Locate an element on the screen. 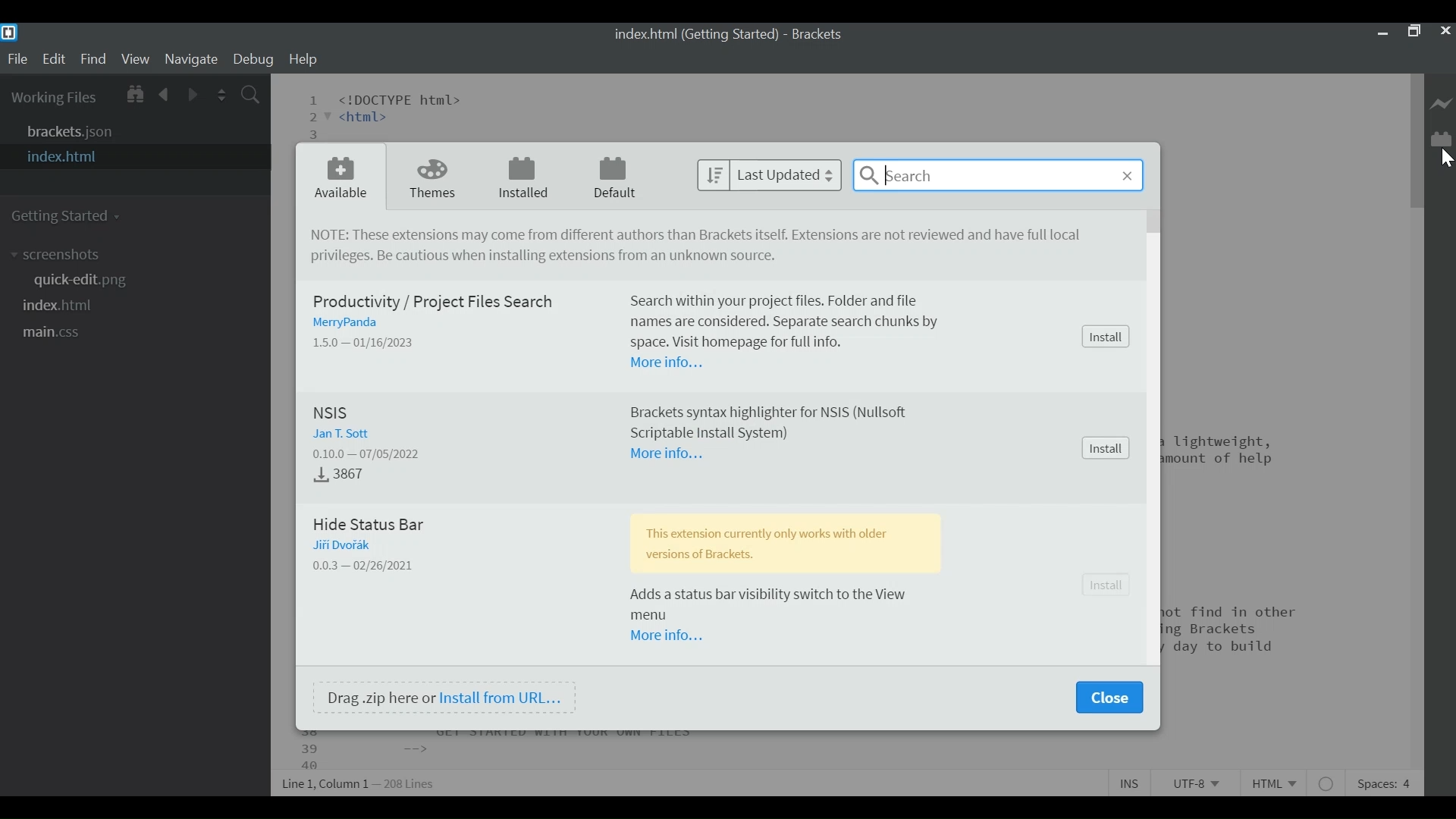  Split the Editor Vertically or Horizontally is located at coordinates (224, 93).